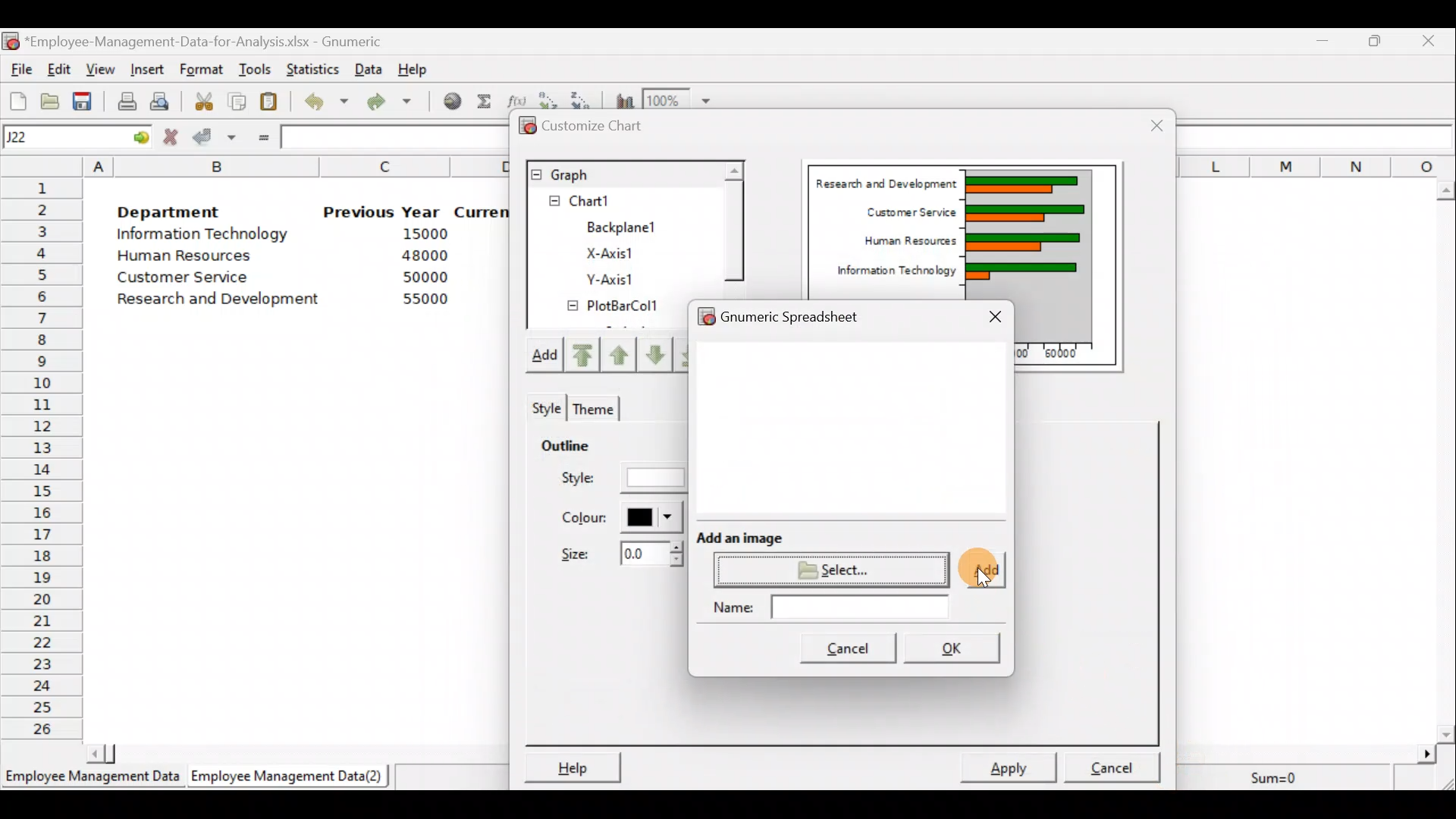 The image size is (1456, 819). What do you see at coordinates (1112, 764) in the screenshot?
I see `Cancel` at bounding box center [1112, 764].